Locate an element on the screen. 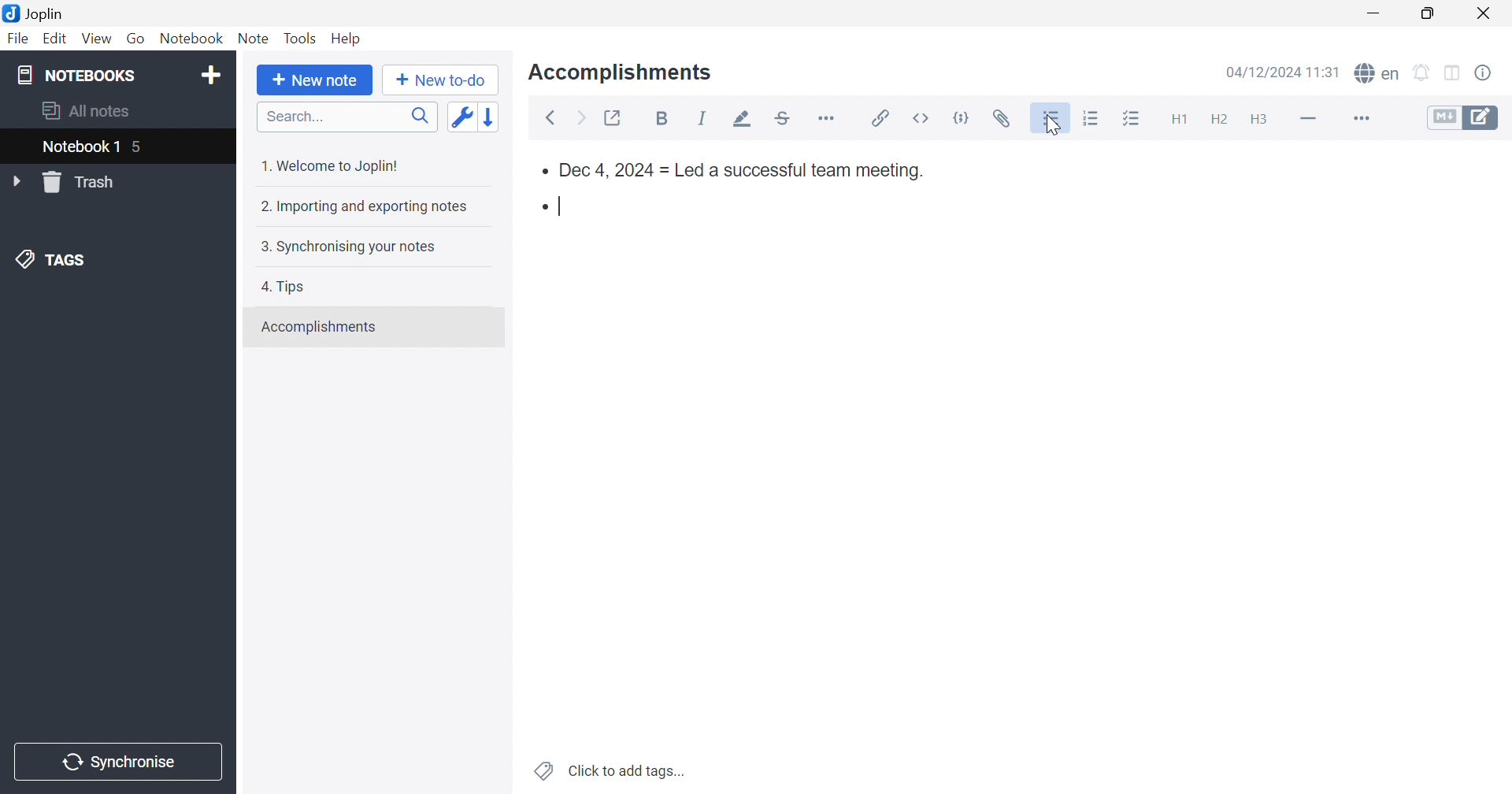 This screenshot has height=794, width=1512. Checkbox list is located at coordinates (1135, 120).